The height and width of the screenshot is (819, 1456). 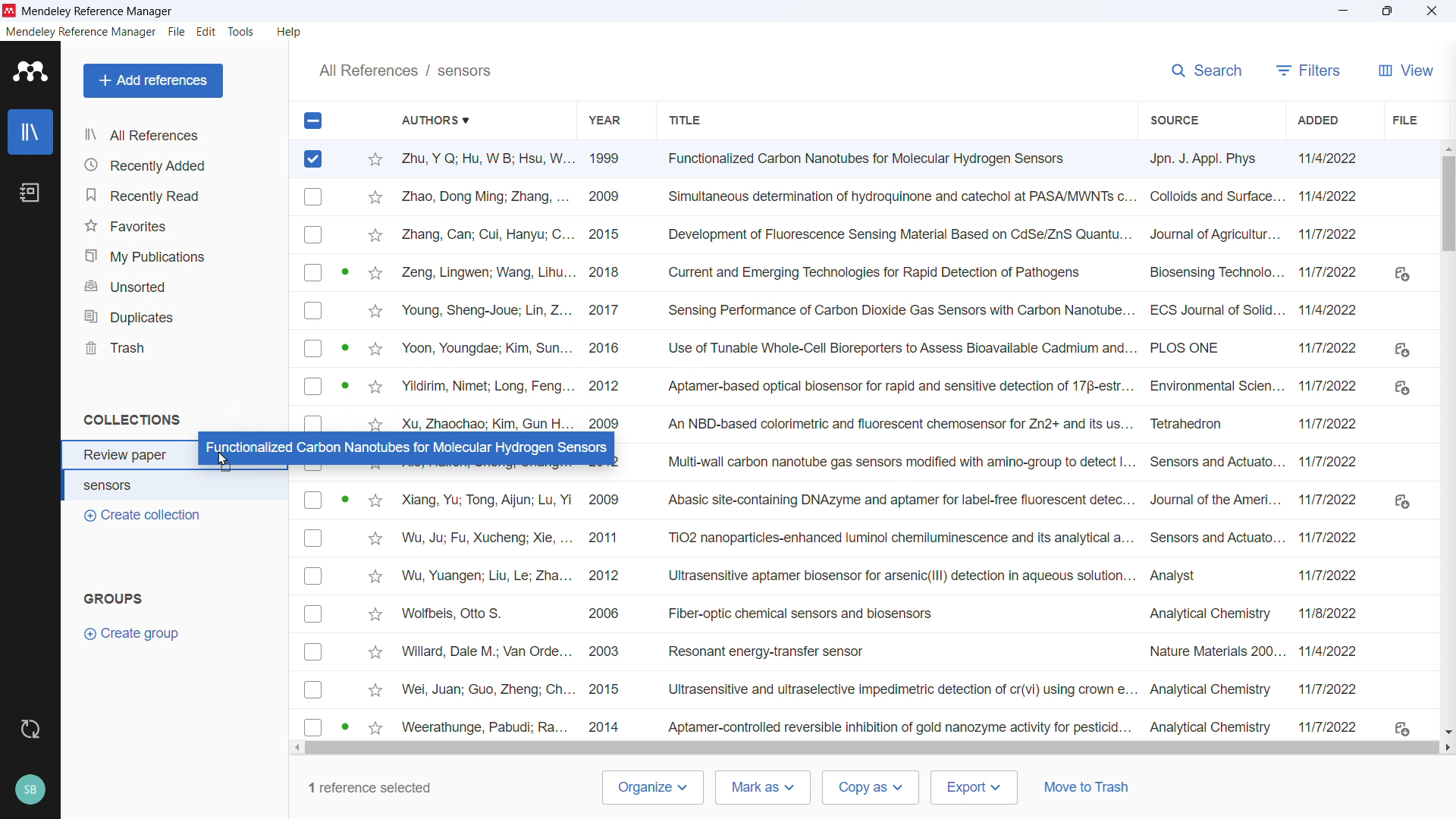 I want to click on Add reference , so click(x=154, y=81).